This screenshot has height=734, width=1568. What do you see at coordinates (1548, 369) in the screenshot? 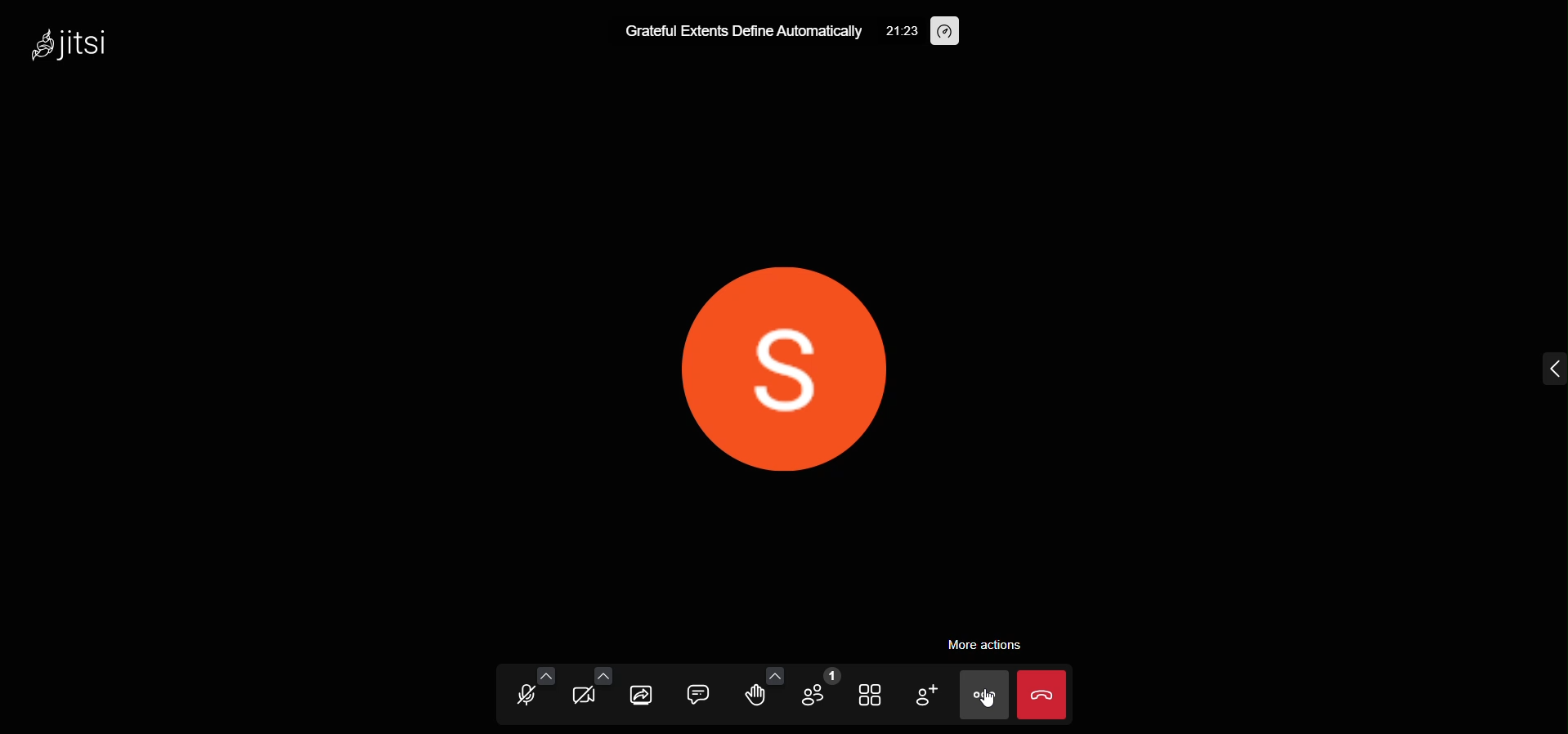
I see `expand` at bounding box center [1548, 369].